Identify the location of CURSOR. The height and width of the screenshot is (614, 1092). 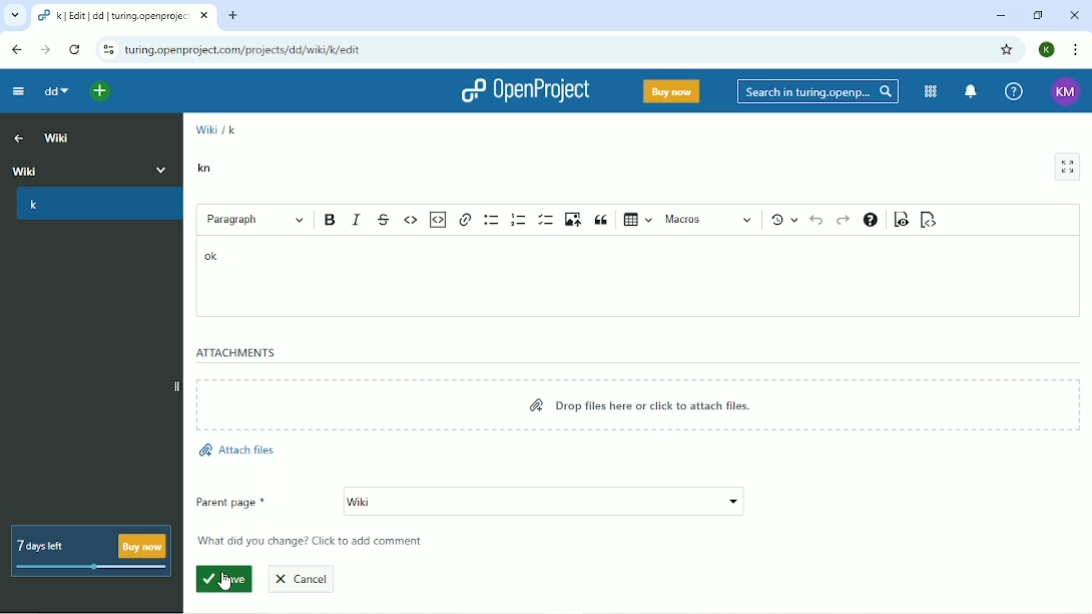
(224, 579).